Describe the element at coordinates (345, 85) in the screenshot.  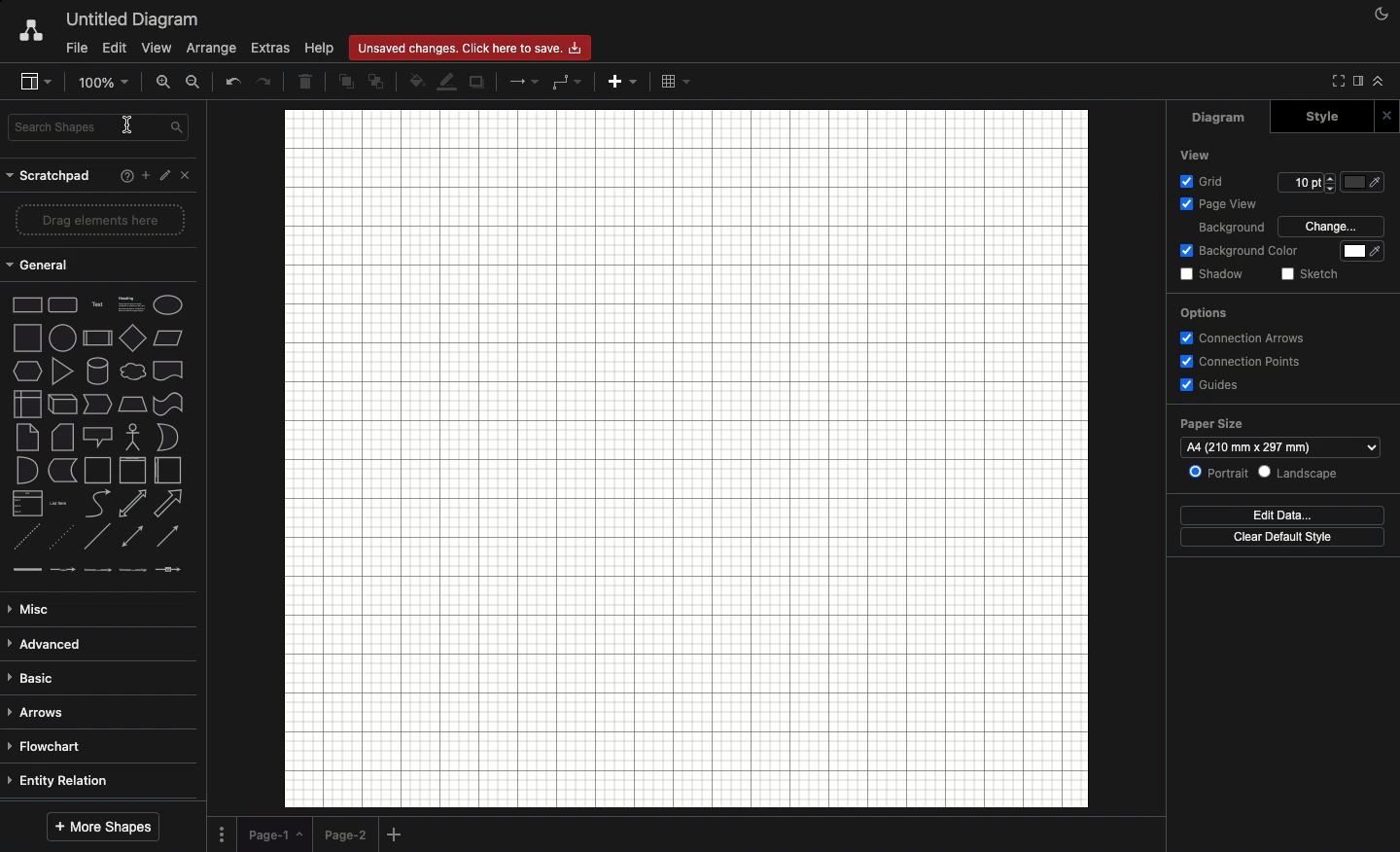
I see `To front` at that location.